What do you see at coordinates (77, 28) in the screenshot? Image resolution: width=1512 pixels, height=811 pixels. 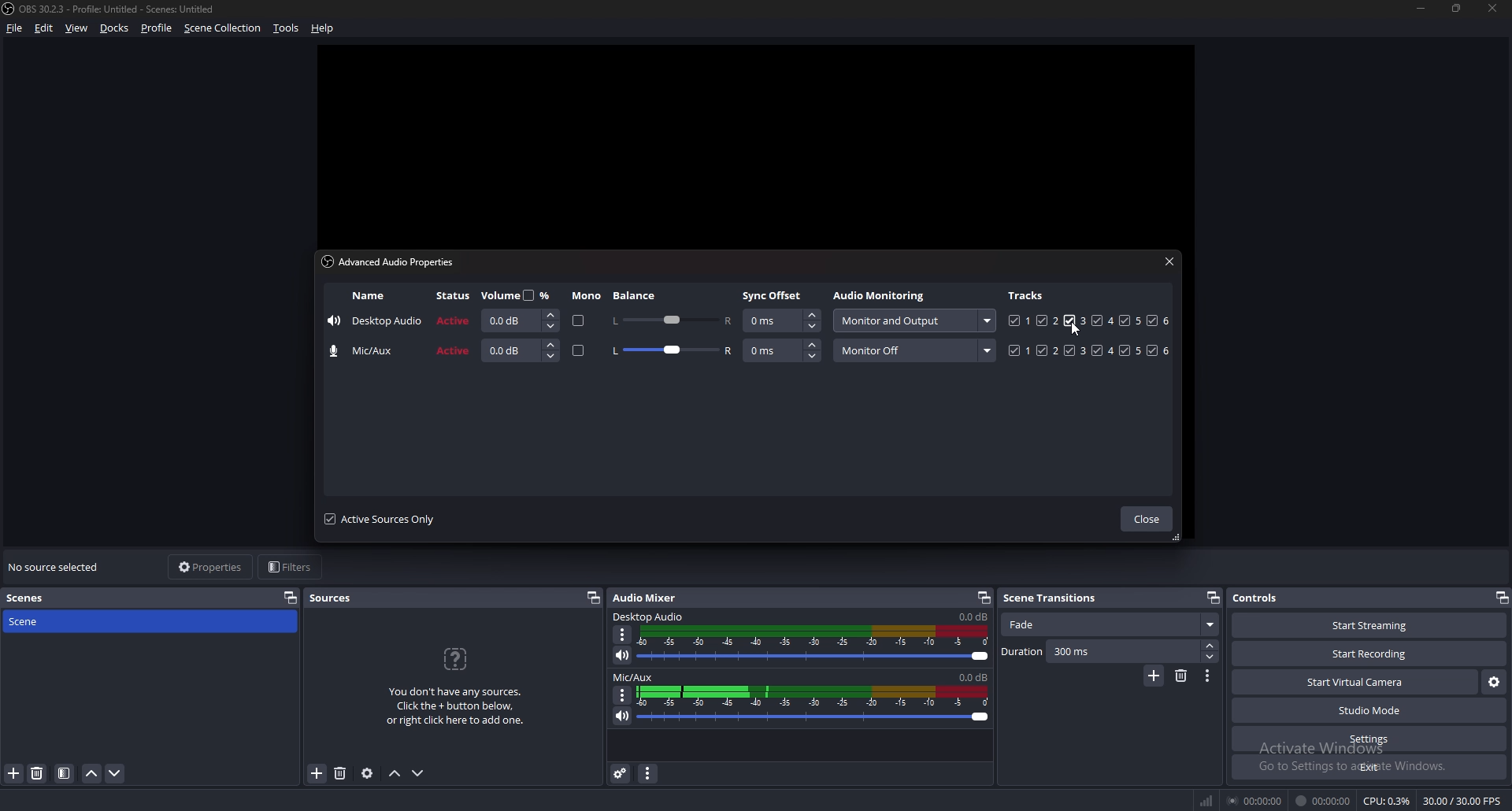 I see `view` at bounding box center [77, 28].